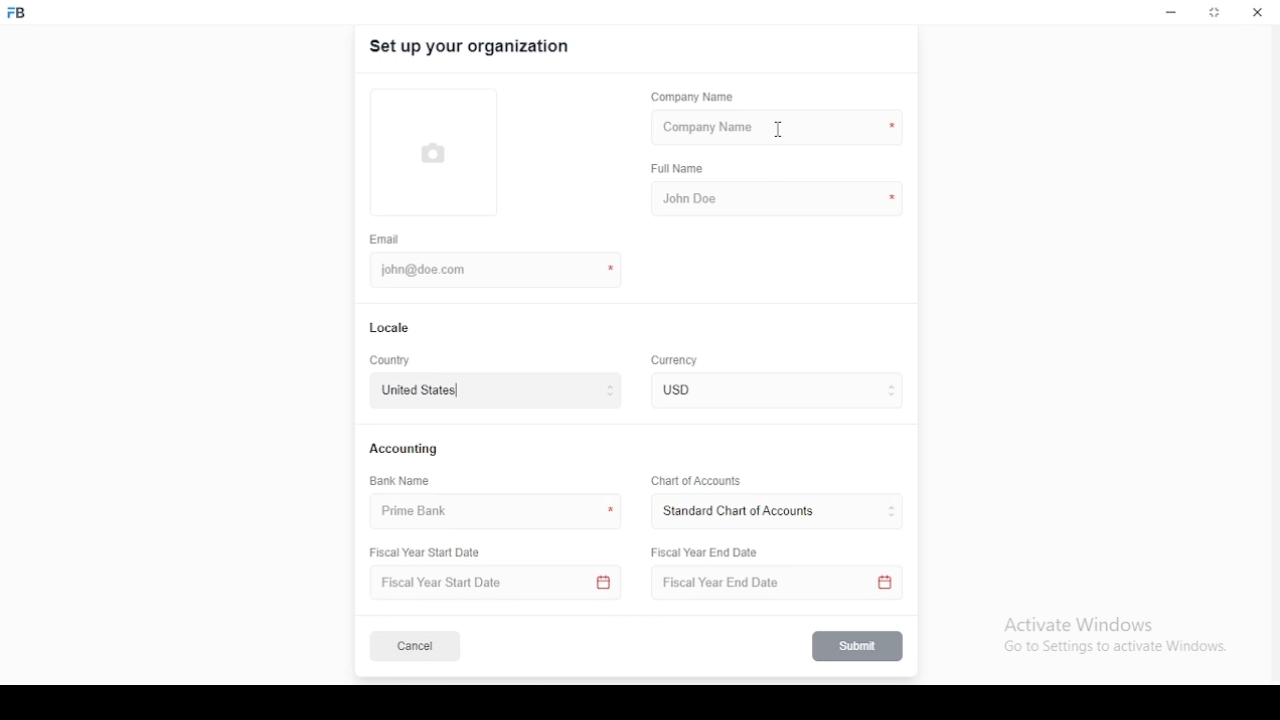 The image size is (1280, 720). What do you see at coordinates (737, 512) in the screenshot?
I see `L ‘Standard Chart of Accounts` at bounding box center [737, 512].